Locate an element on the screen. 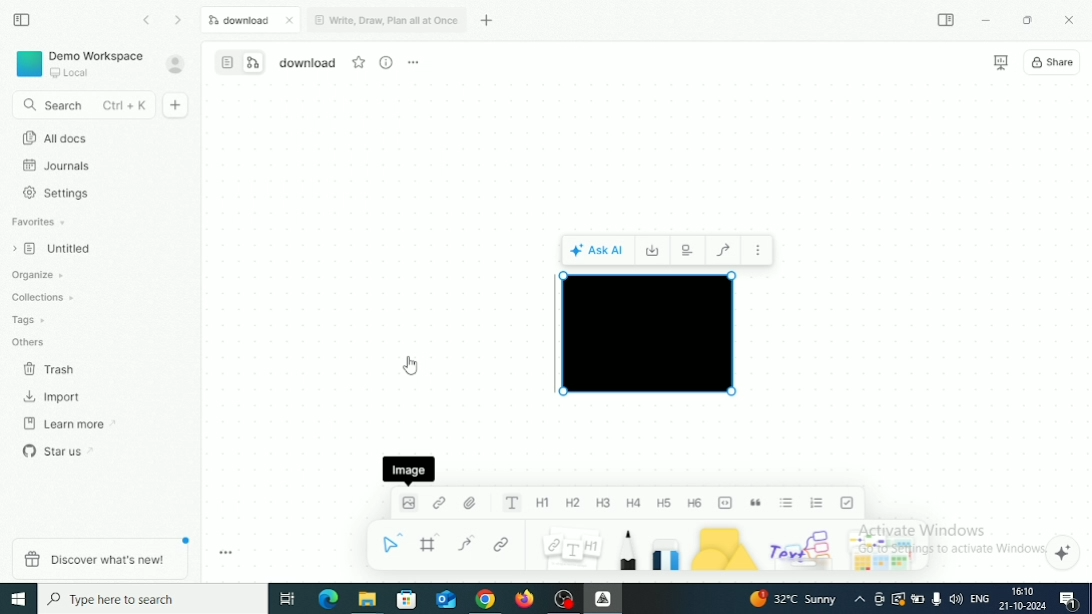 The width and height of the screenshot is (1092, 614). Star us is located at coordinates (57, 450).